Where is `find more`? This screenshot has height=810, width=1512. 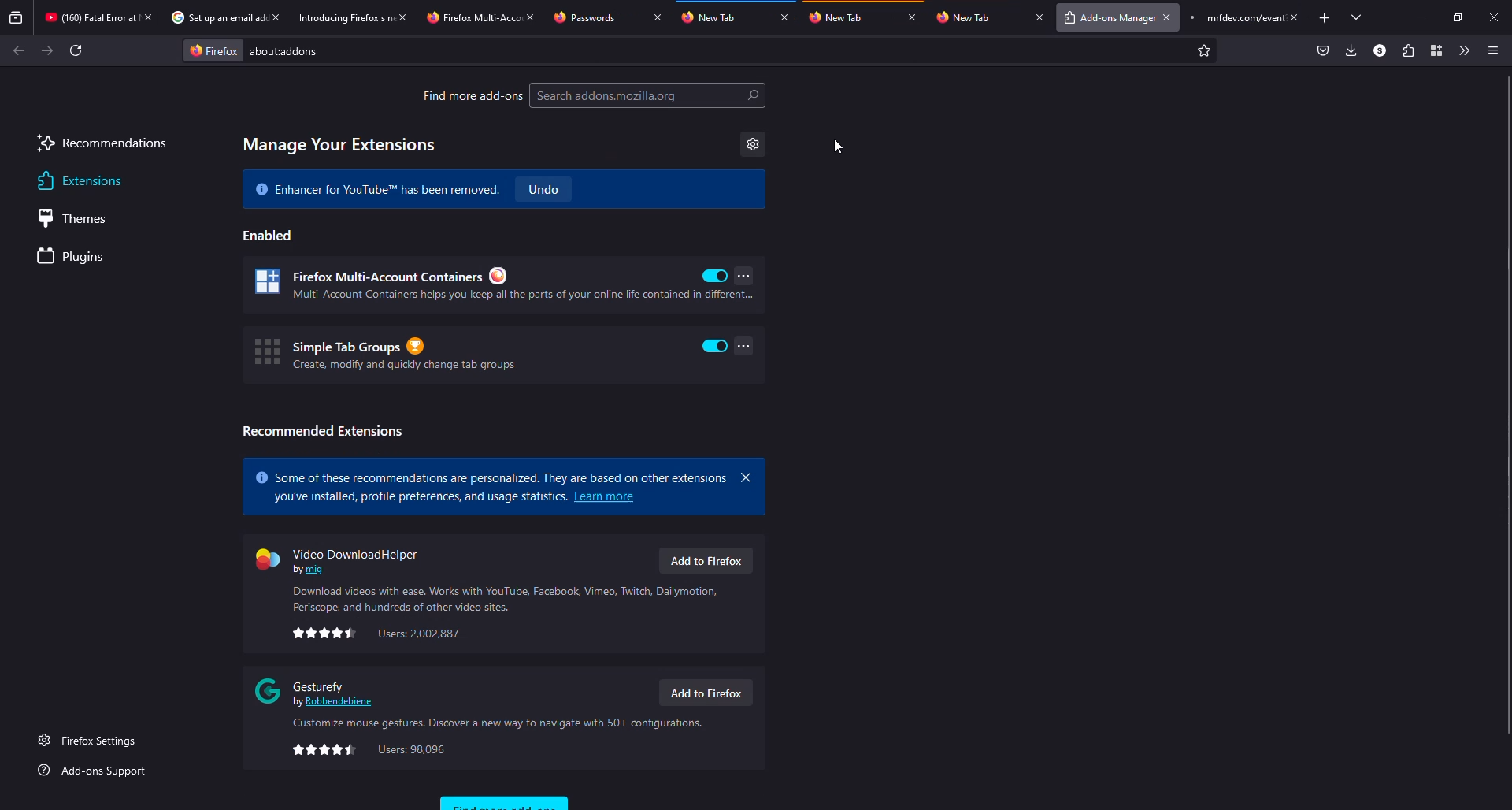
find more is located at coordinates (472, 95).